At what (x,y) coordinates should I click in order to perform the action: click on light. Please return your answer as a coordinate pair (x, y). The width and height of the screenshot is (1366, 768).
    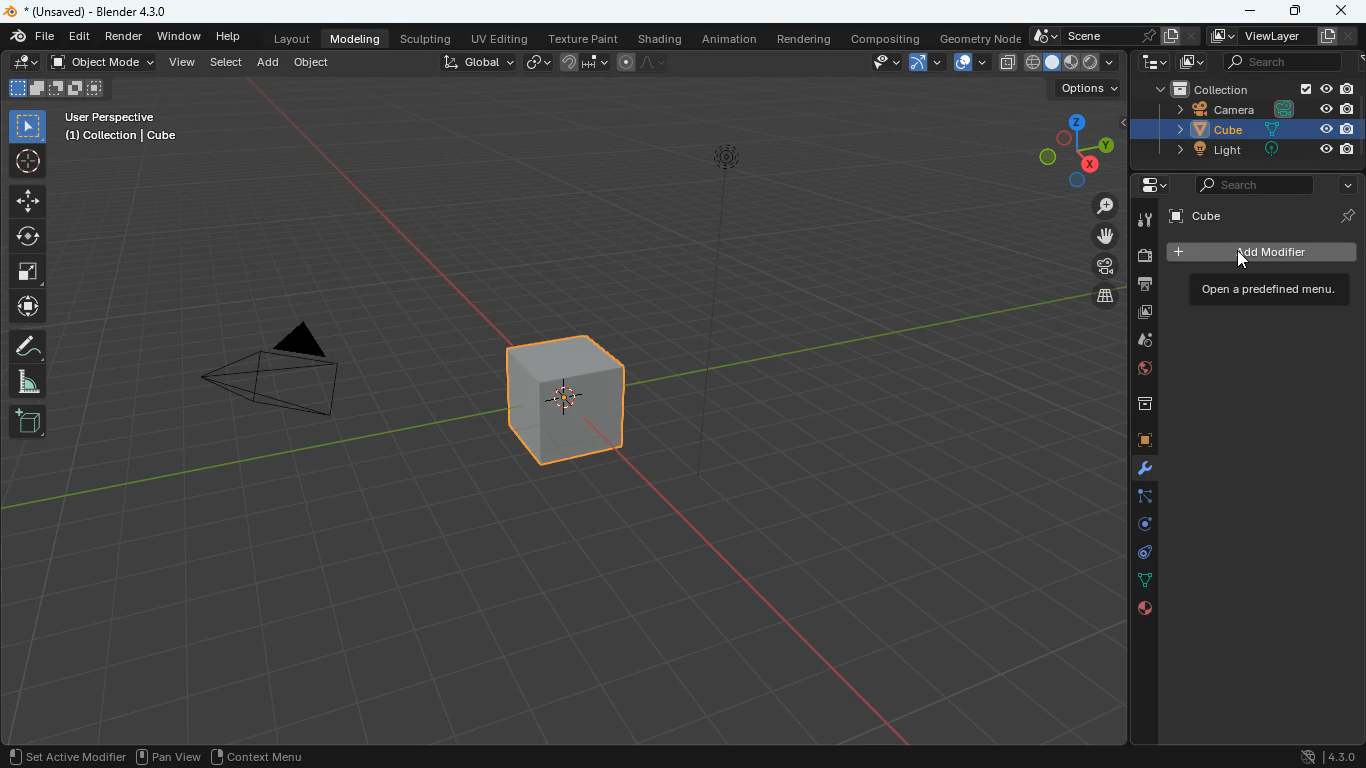
    Looking at the image, I should click on (722, 312).